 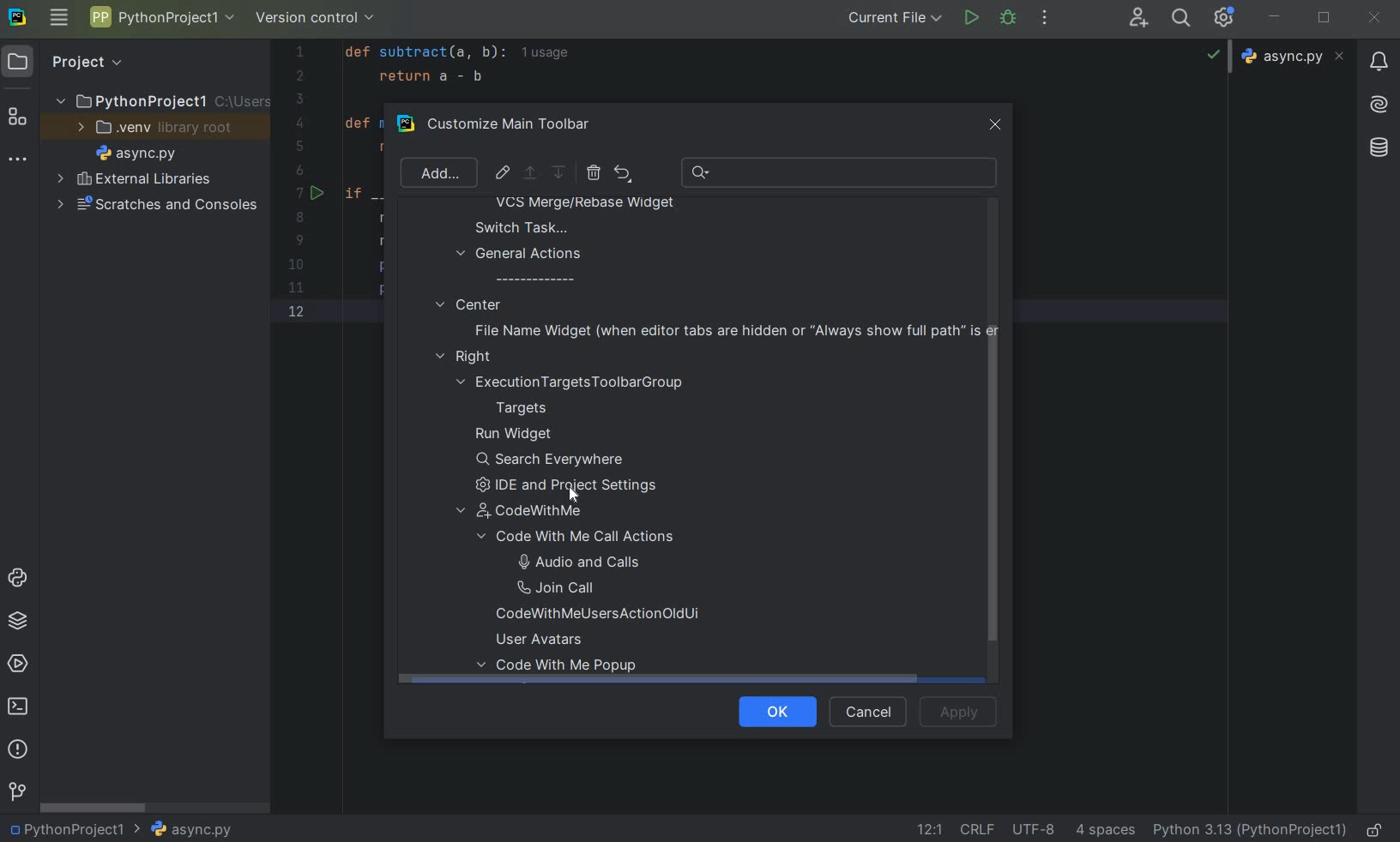 What do you see at coordinates (585, 204) in the screenshot?
I see `VCS Merge/rebase widget` at bounding box center [585, 204].